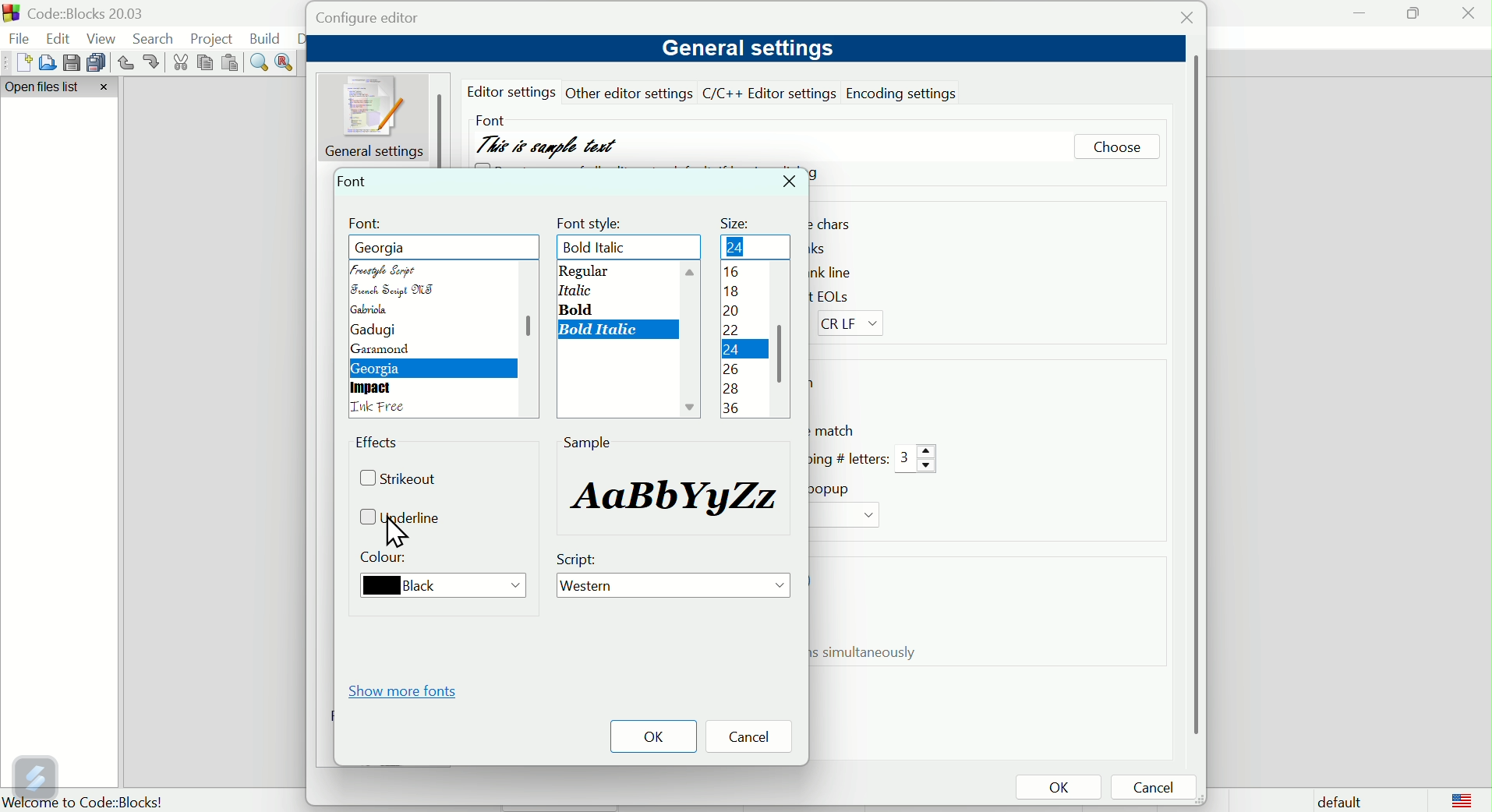 Image resolution: width=1492 pixels, height=812 pixels. What do you see at coordinates (382, 408) in the screenshot?
I see `language` at bounding box center [382, 408].